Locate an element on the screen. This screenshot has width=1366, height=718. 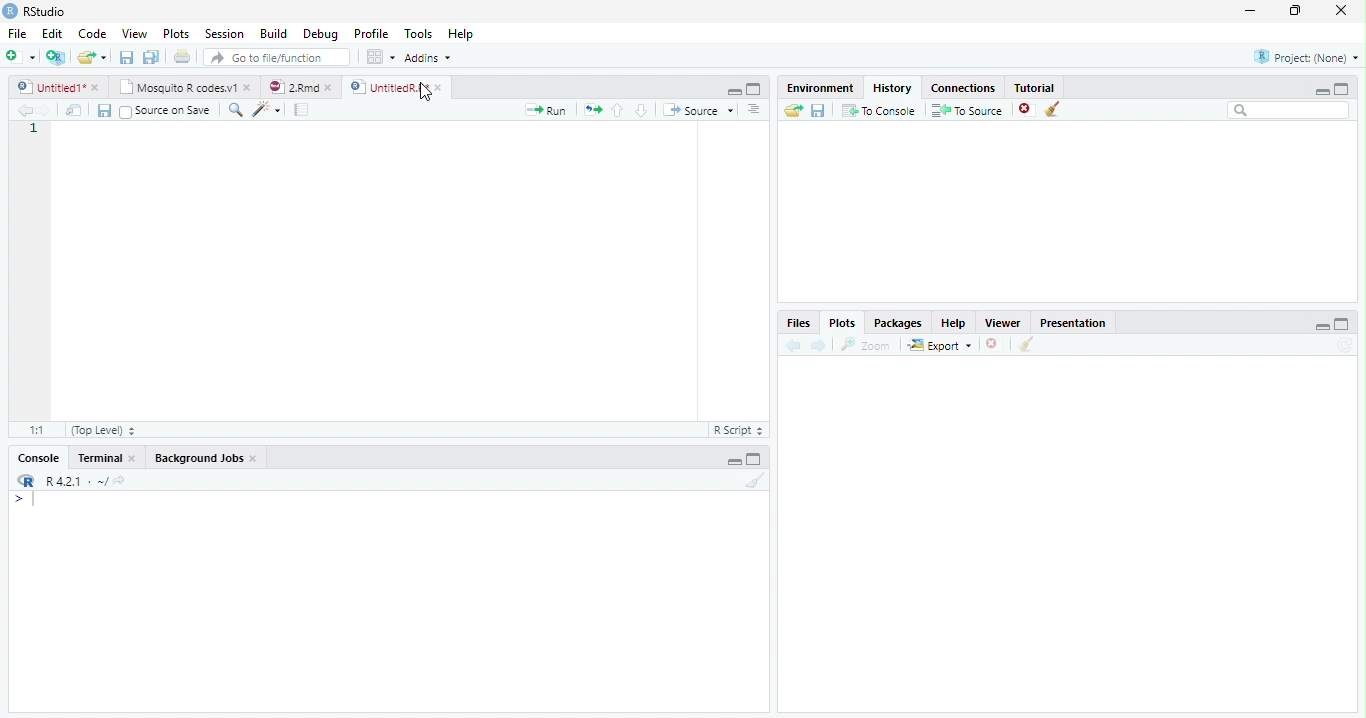
Edit is located at coordinates (51, 33).